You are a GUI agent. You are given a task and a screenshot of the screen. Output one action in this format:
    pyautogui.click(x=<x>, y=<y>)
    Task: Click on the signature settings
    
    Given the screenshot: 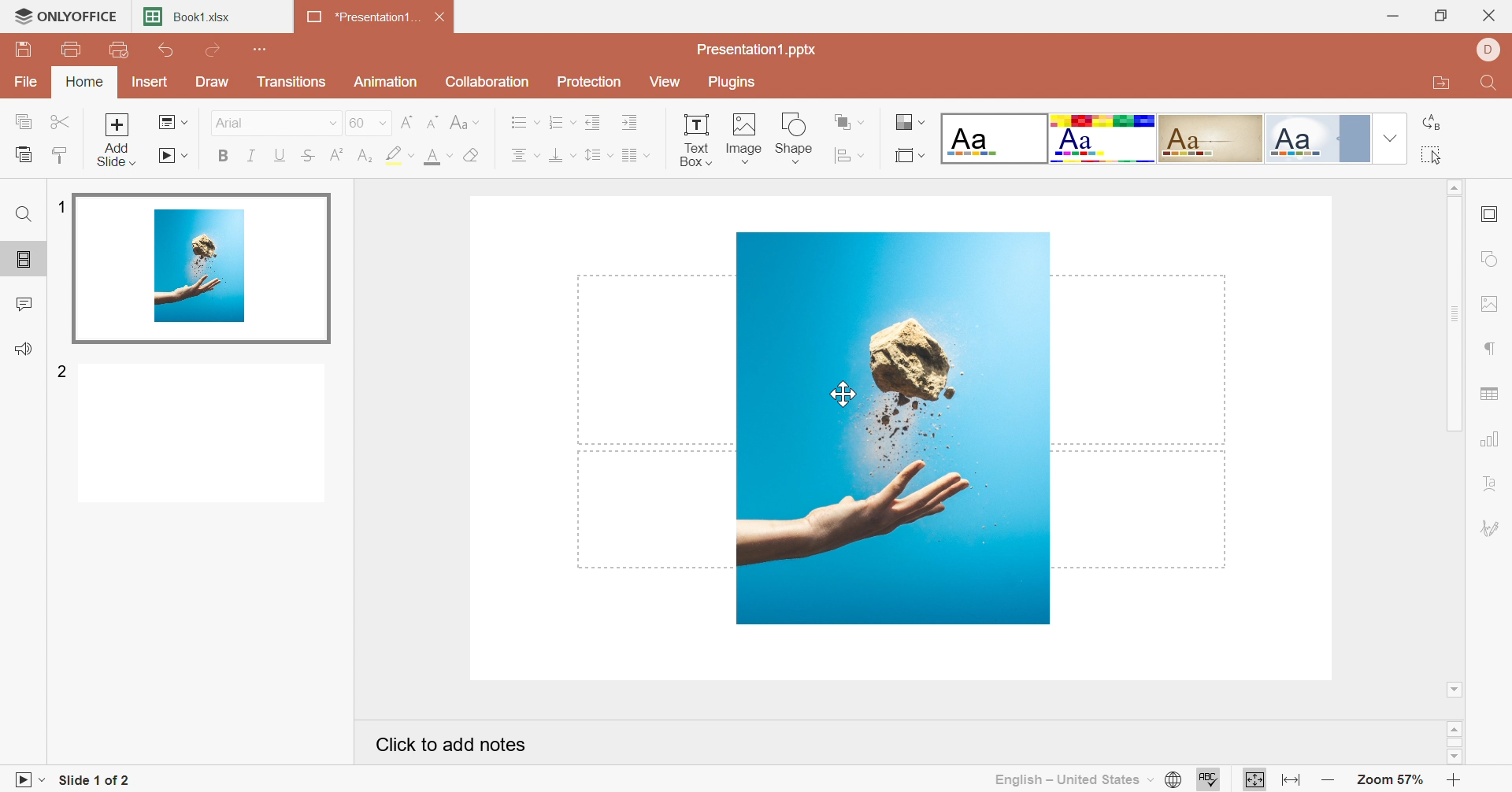 What is the action you would take?
    pyautogui.click(x=1495, y=529)
    